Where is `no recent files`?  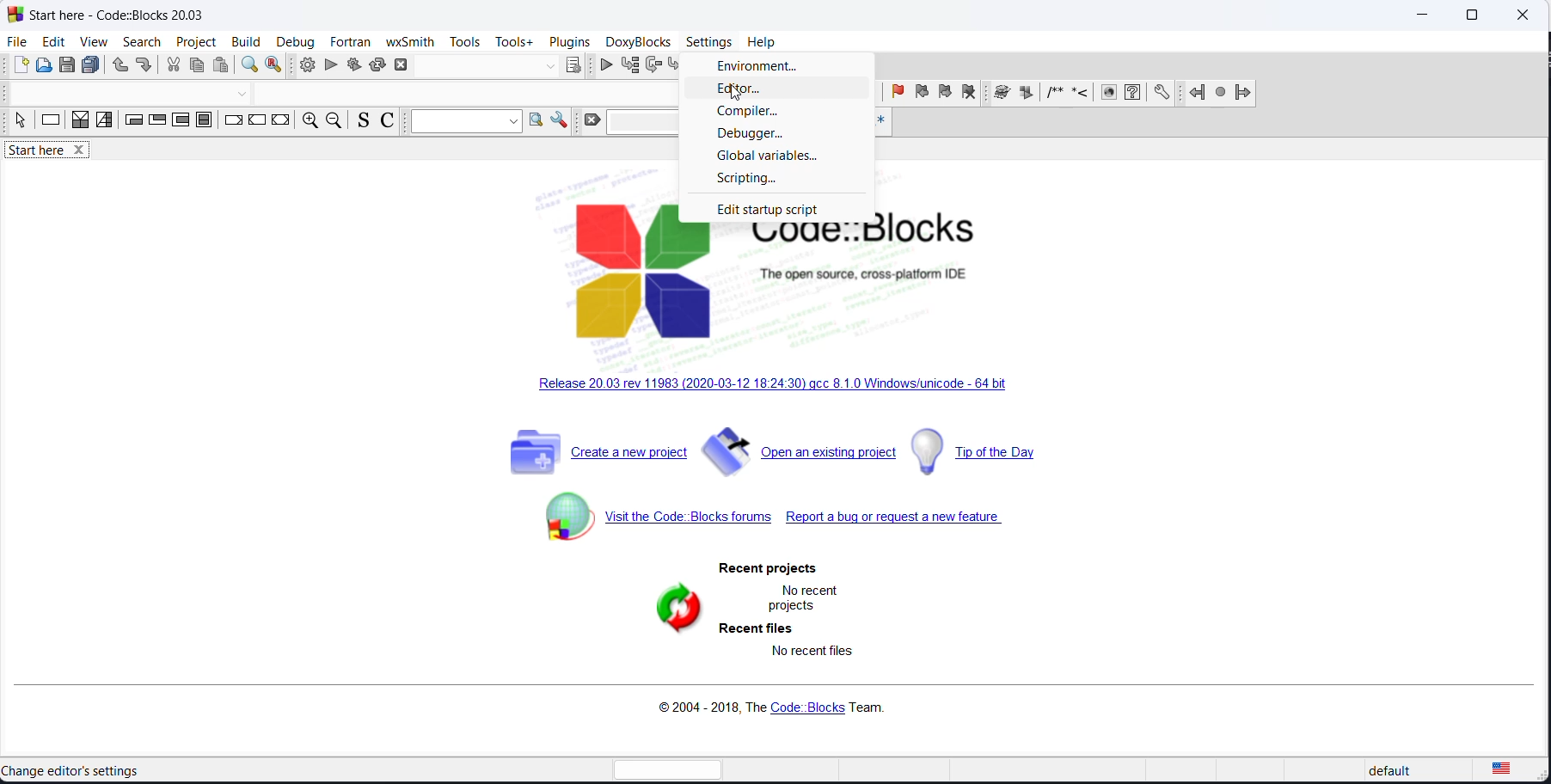
no recent files is located at coordinates (817, 651).